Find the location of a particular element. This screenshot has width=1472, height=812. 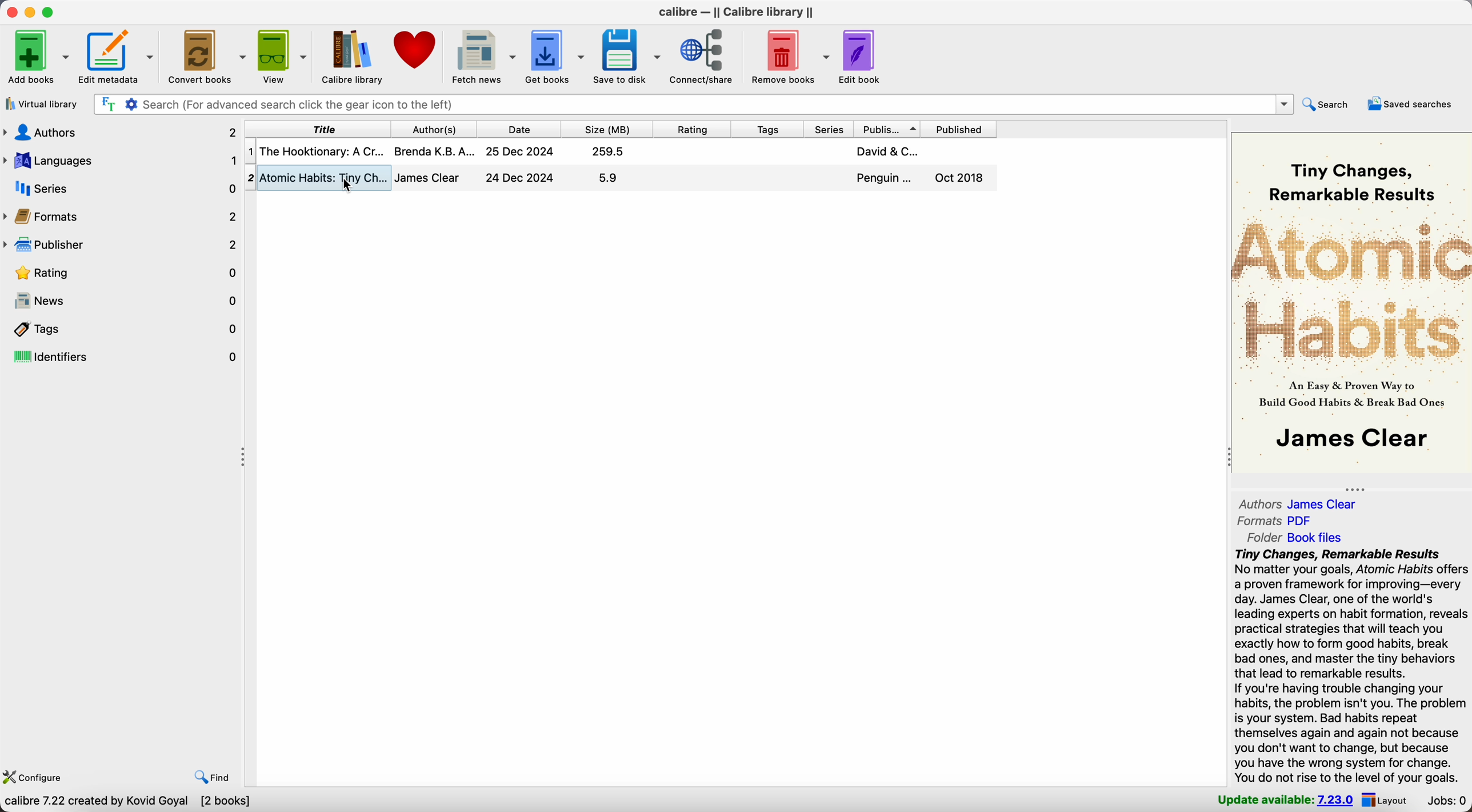

edit book is located at coordinates (861, 58).